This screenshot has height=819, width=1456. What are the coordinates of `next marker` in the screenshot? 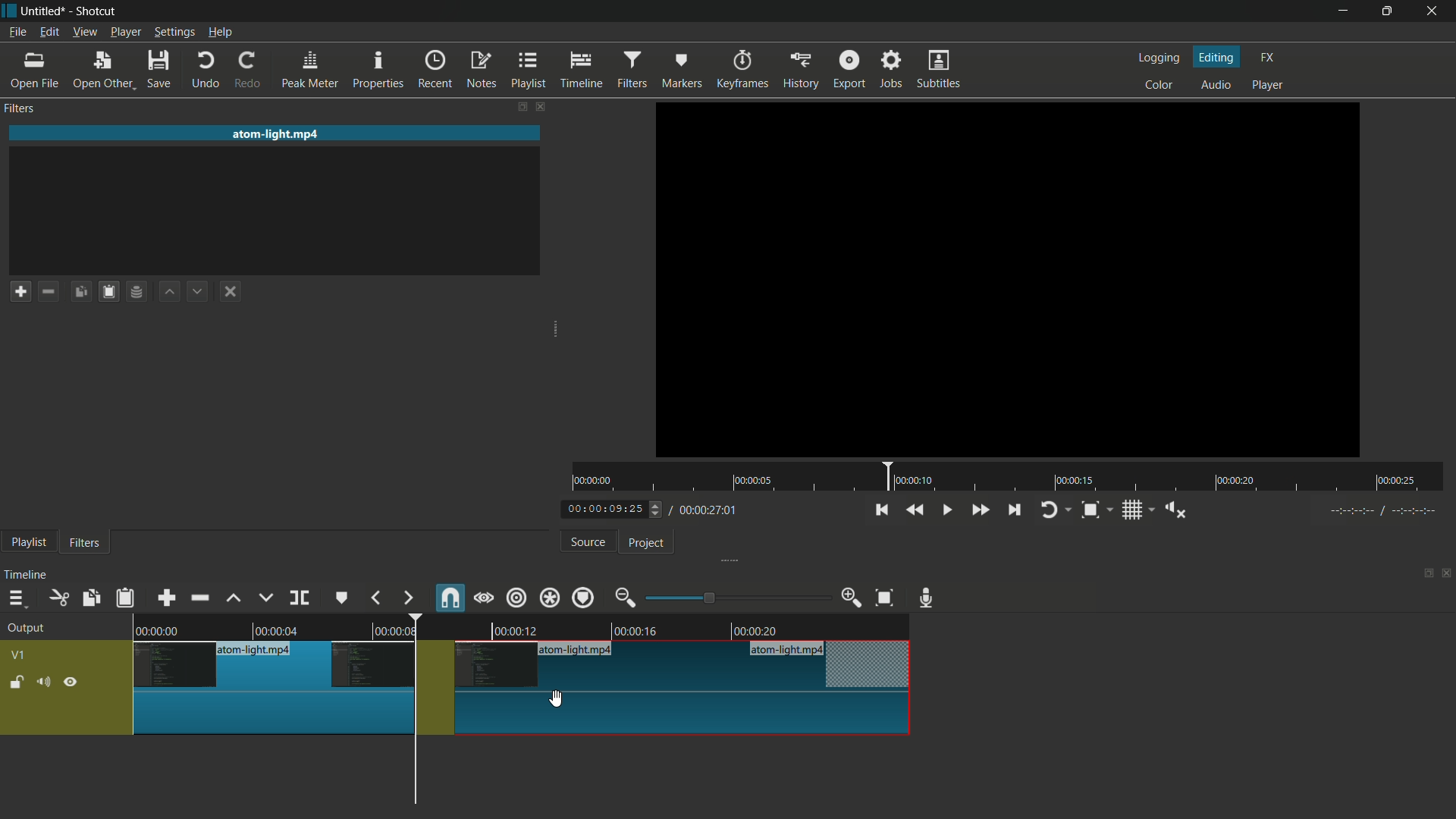 It's located at (407, 598).